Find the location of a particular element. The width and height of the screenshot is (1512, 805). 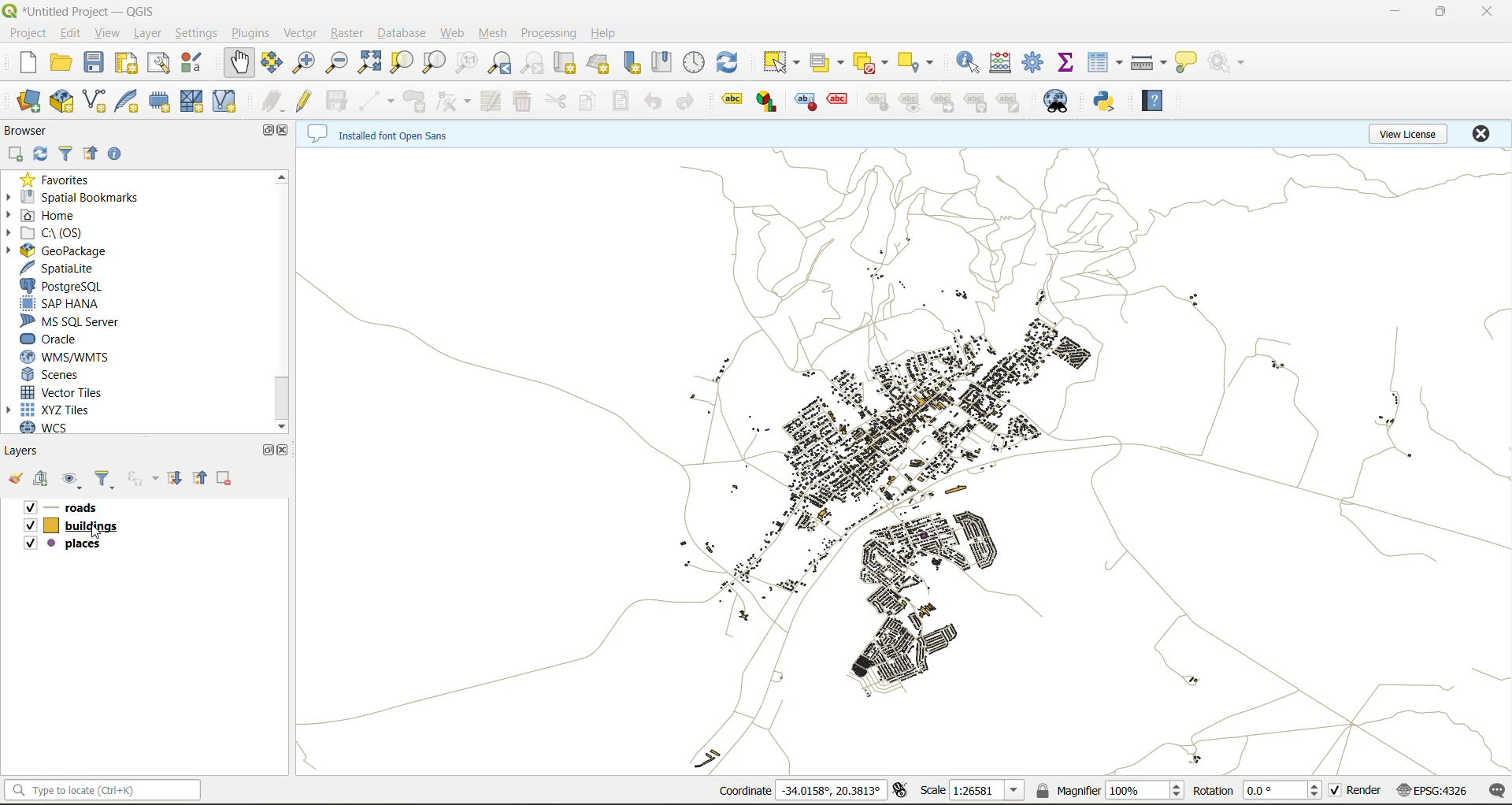

plugins is located at coordinates (254, 33).